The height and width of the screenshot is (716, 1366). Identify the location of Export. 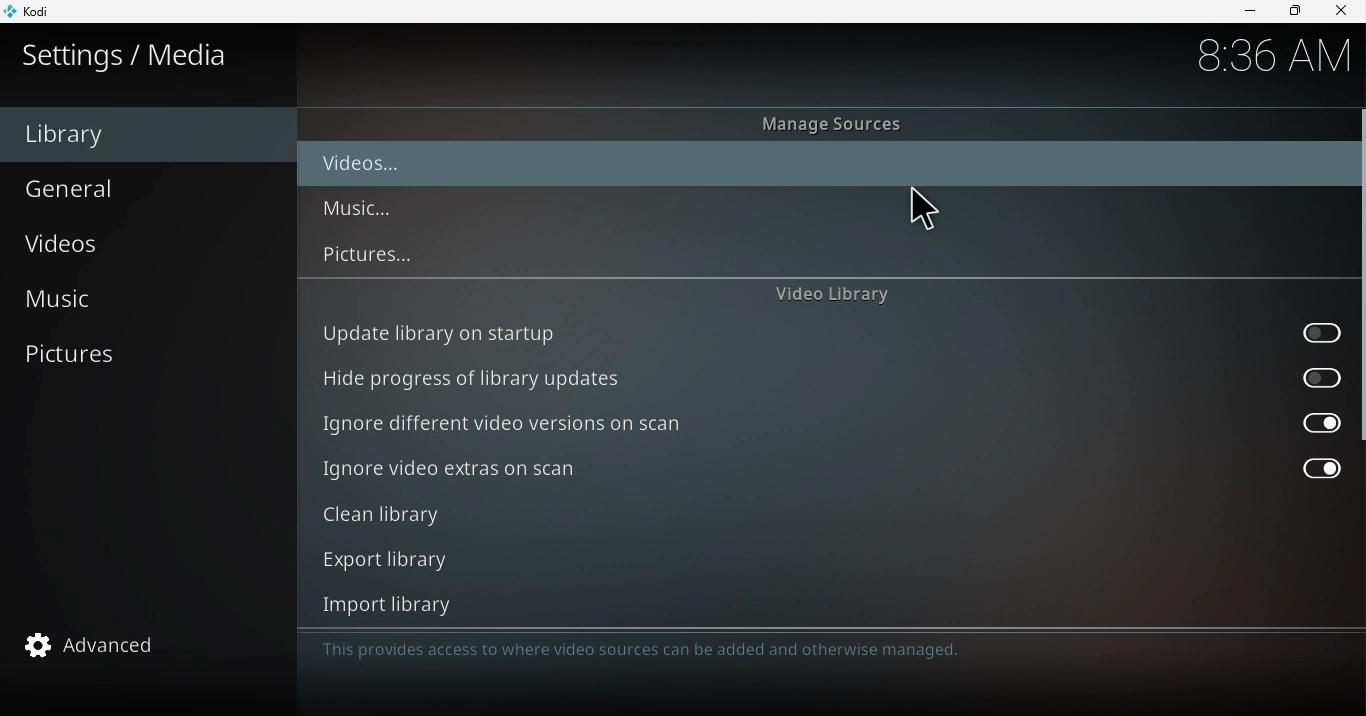
(821, 559).